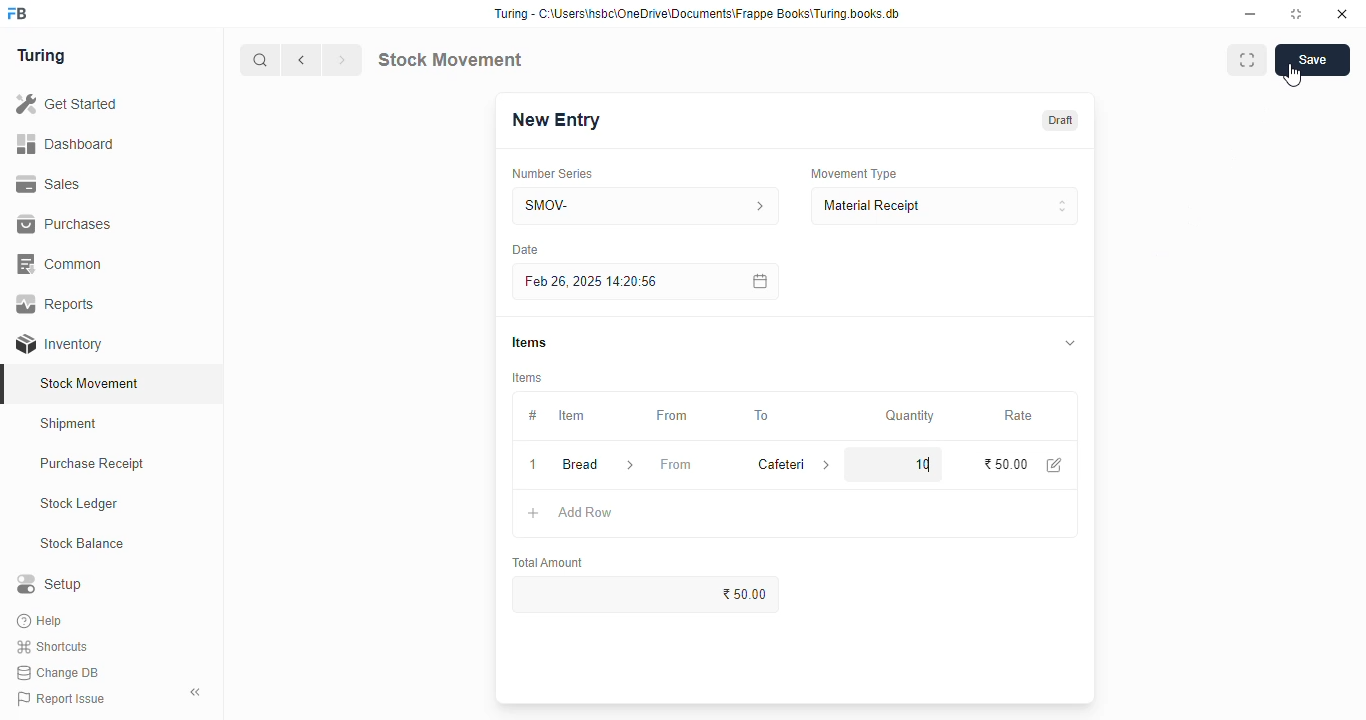 The width and height of the screenshot is (1366, 720). Describe the element at coordinates (923, 465) in the screenshot. I see `10` at that location.